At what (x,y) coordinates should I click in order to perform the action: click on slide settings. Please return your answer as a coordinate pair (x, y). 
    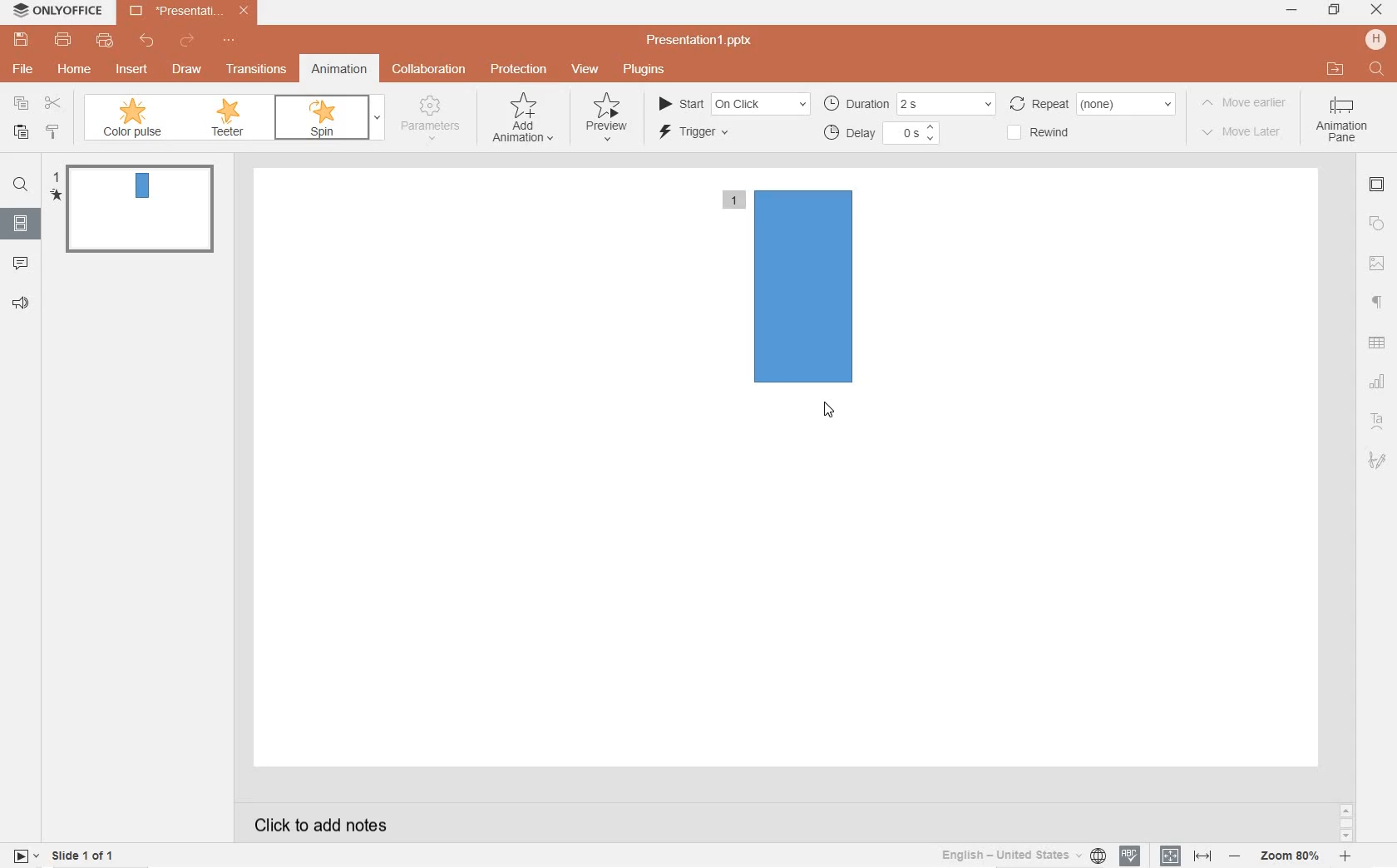
    Looking at the image, I should click on (1378, 186).